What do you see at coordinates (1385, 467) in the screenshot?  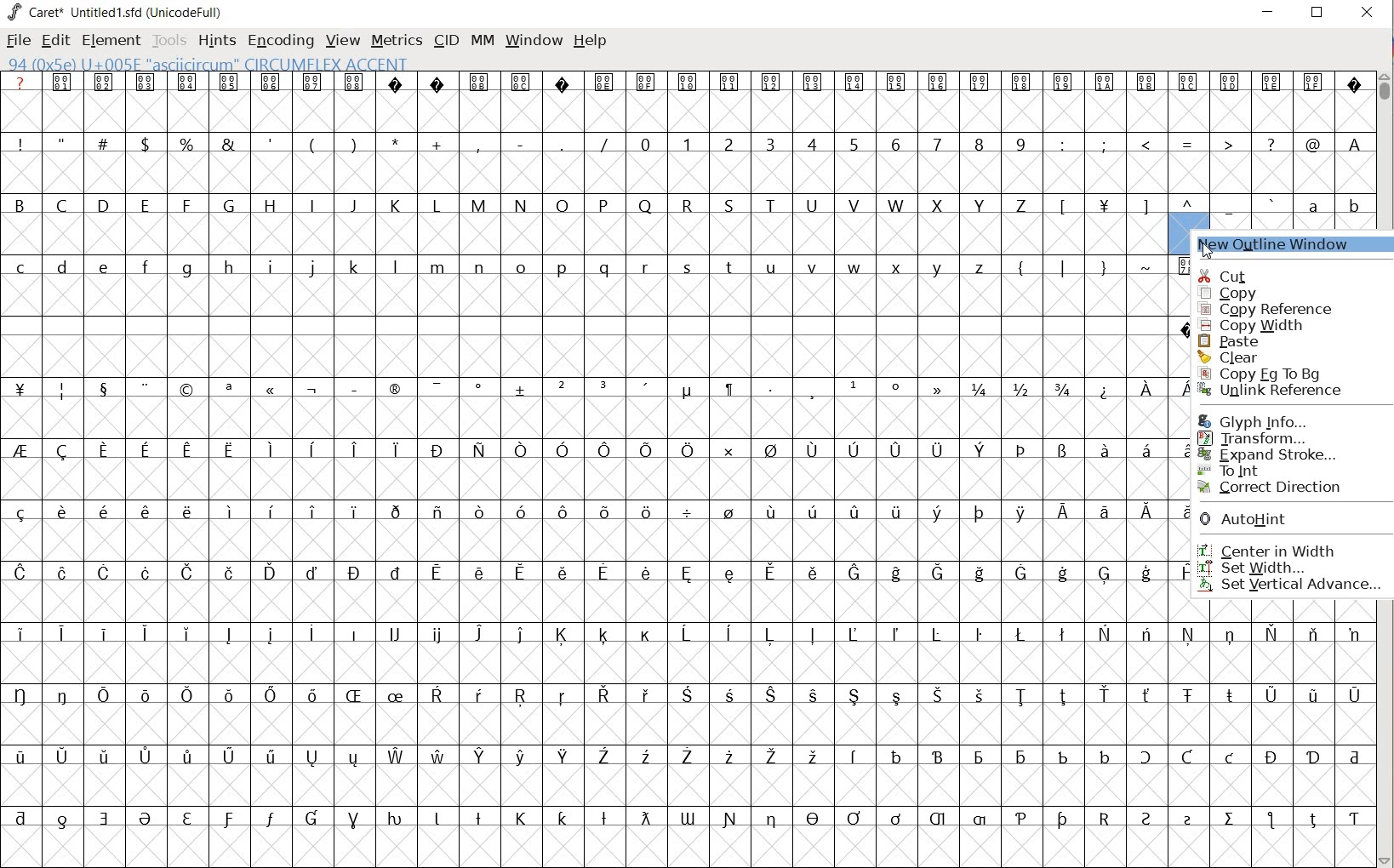 I see `SCROLLBAR` at bounding box center [1385, 467].